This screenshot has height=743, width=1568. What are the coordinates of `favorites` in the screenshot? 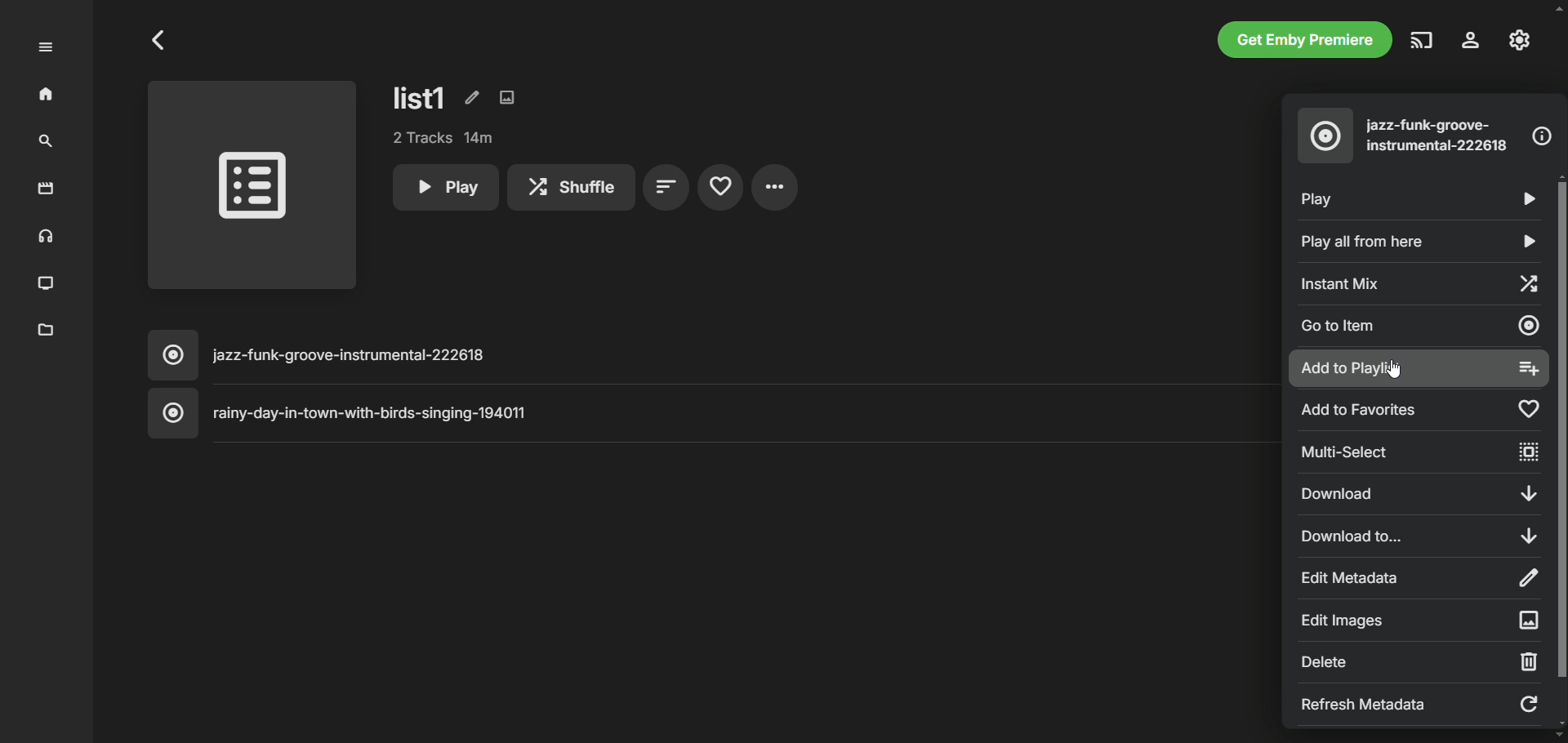 It's located at (719, 188).